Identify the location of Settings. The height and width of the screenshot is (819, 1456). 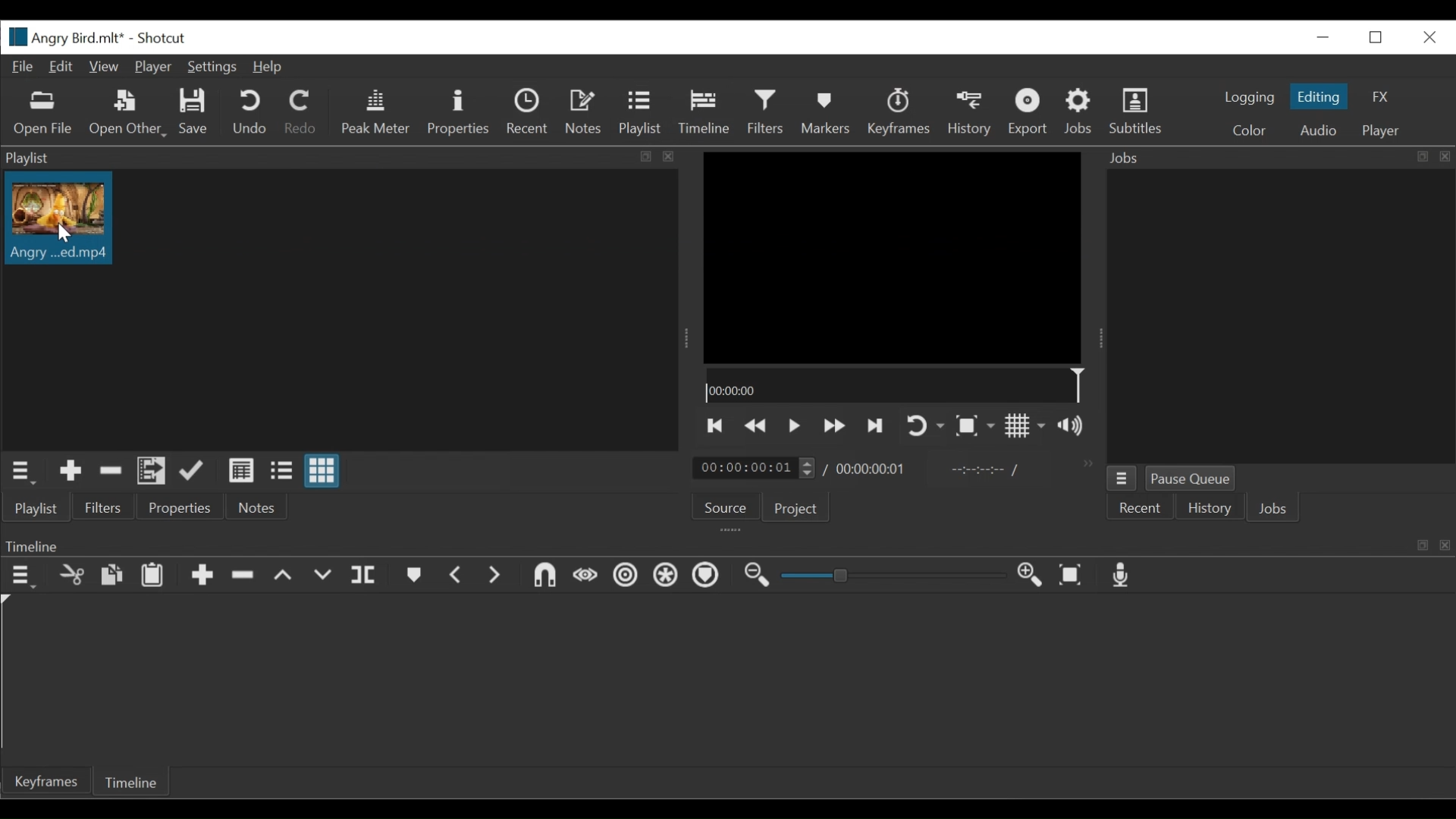
(213, 68).